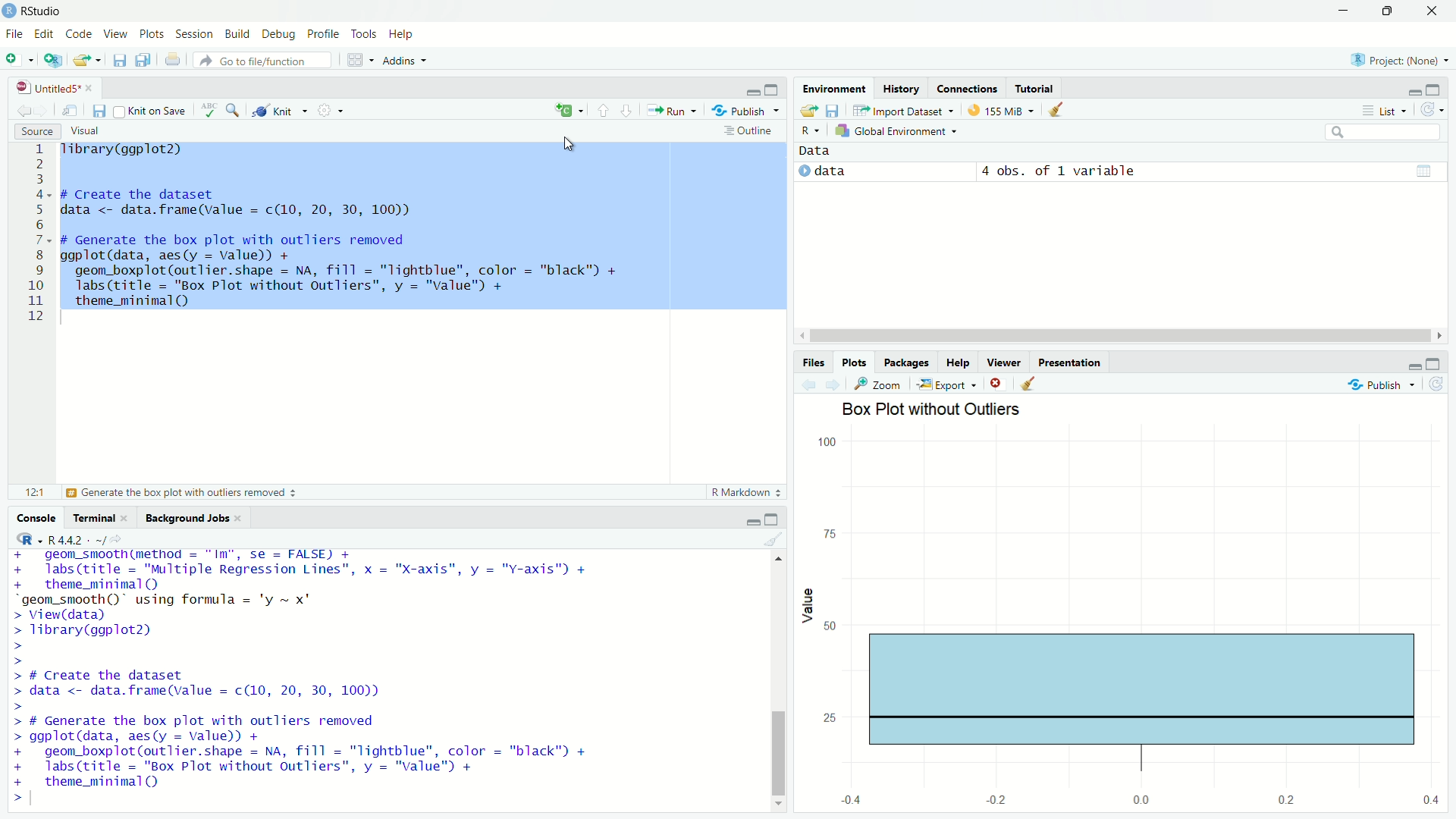 Image resolution: width=1456 pixels, height=819 pixels. Describe the element at coordinates (205, 108) in the screenshot. I see `abc` at that location.